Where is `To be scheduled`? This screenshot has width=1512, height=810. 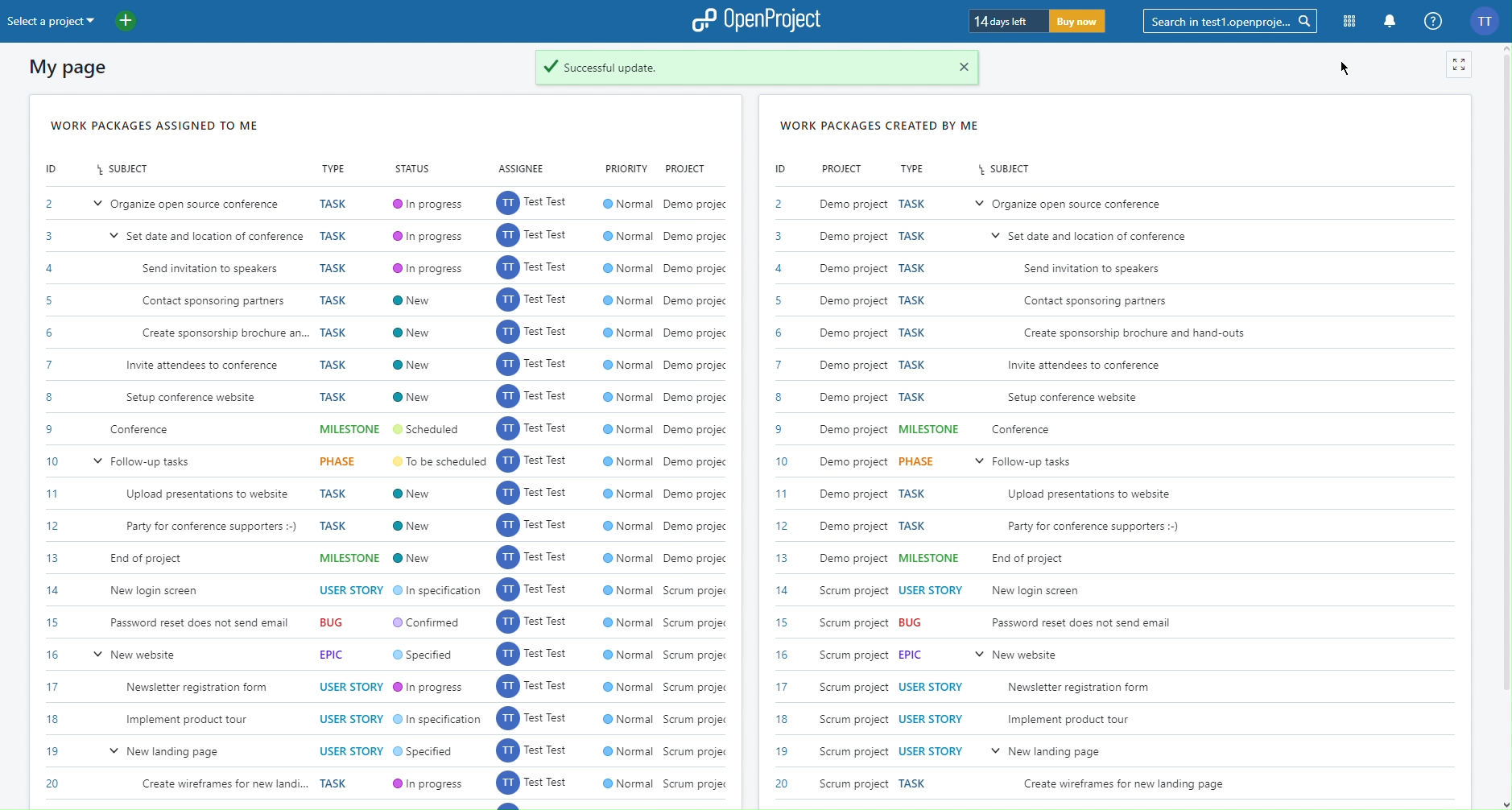
To be scheduled is located at coordinates (438, 461).